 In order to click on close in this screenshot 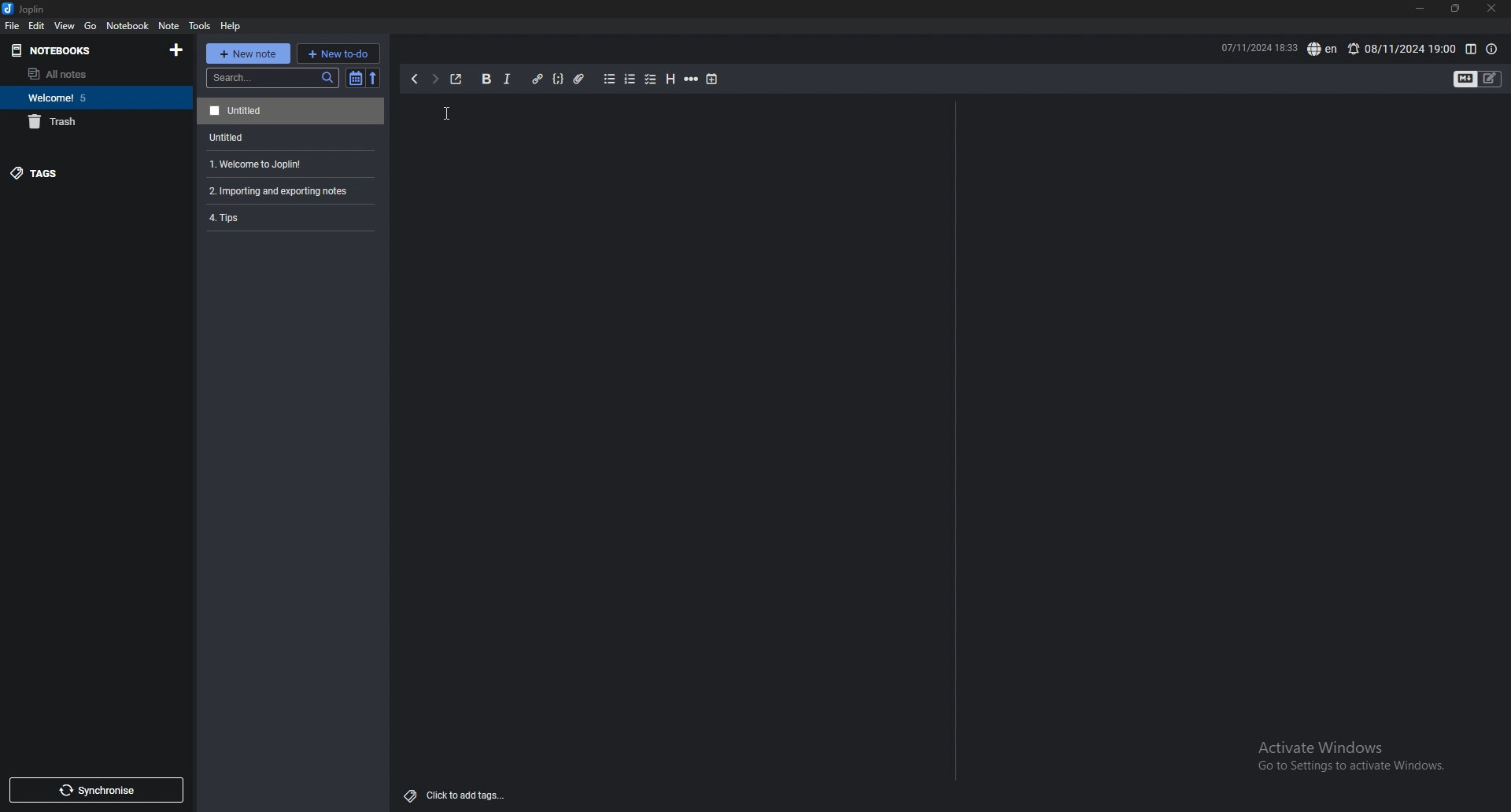, I will do `click(1491, 9)`.